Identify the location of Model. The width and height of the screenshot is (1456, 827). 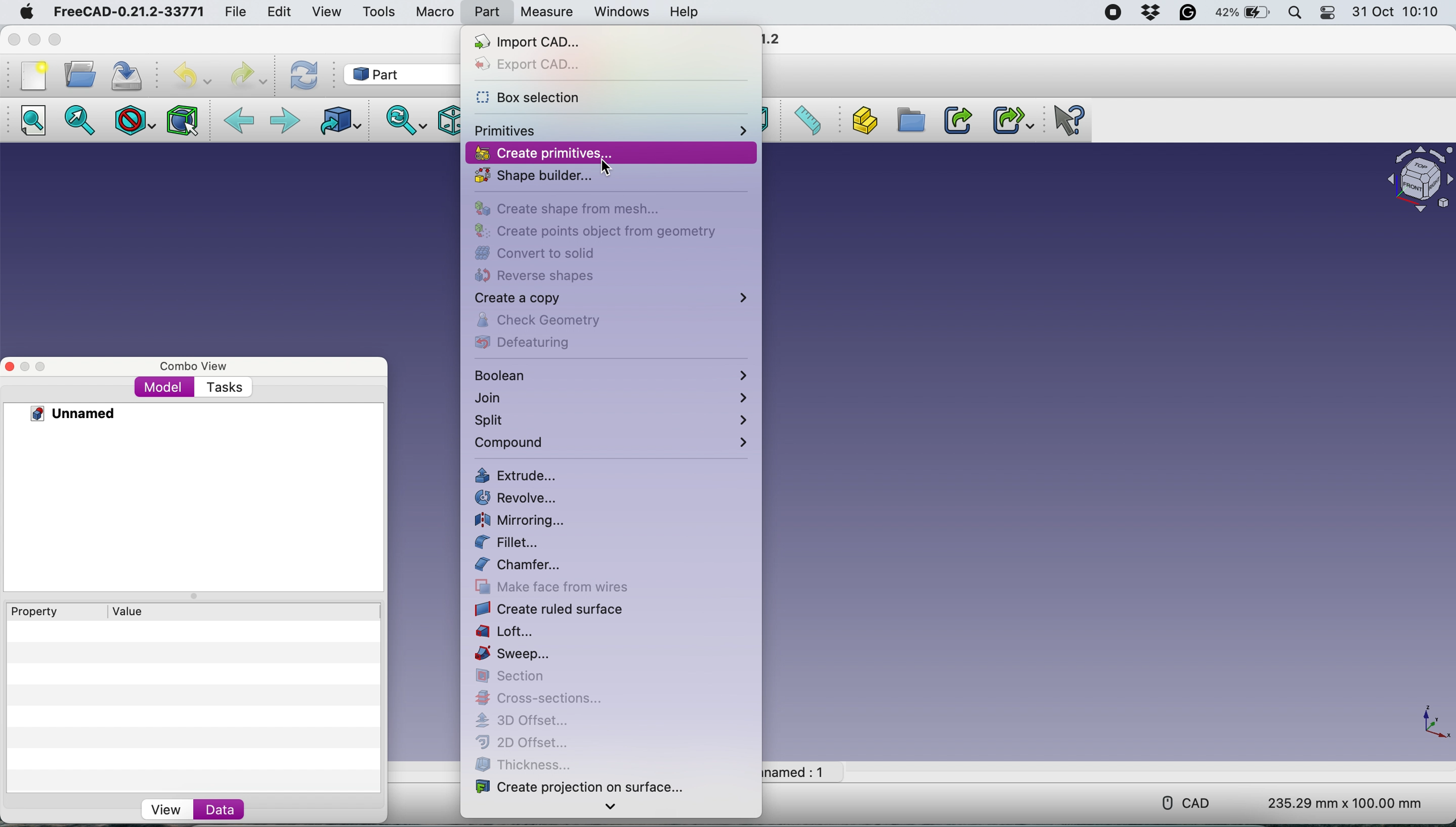
(164, 390).